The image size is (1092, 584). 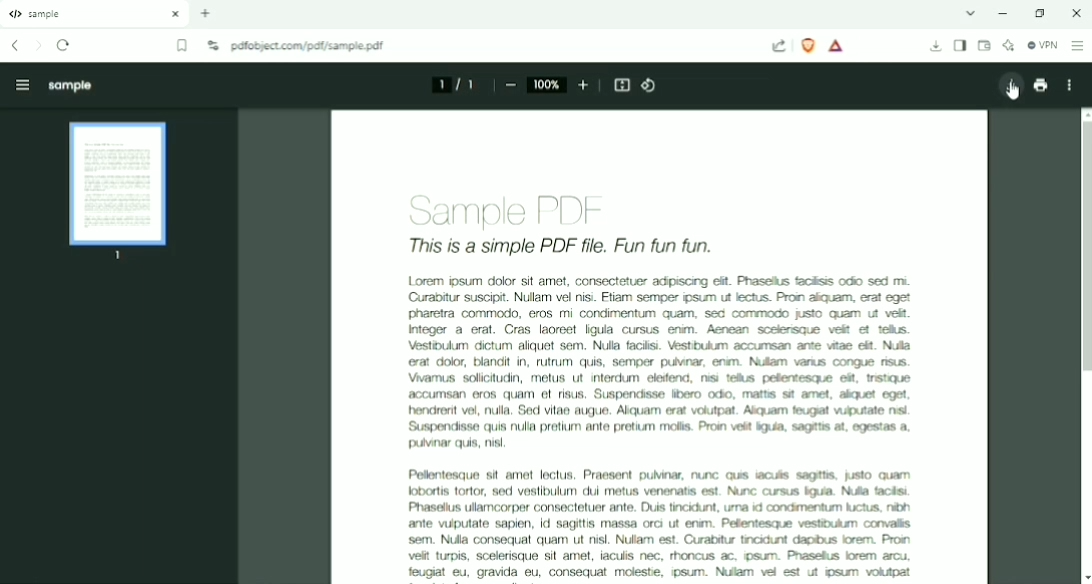 What do you see at coordinates (584, 85) in the screenshot?
I see `Zoom in` at bounding box center [584, 85].